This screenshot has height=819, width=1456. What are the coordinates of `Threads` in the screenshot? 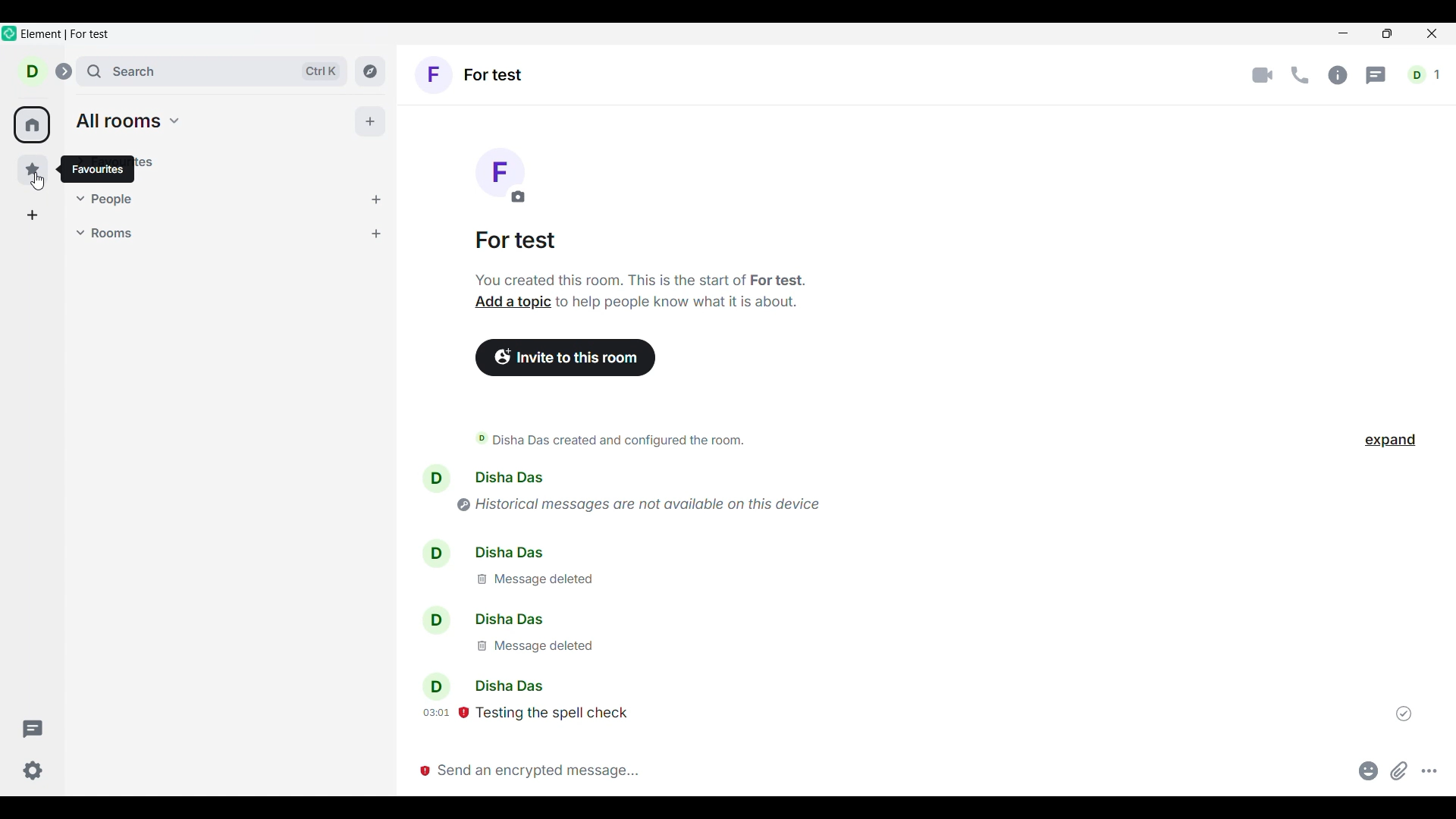 It's located at (33, 730).